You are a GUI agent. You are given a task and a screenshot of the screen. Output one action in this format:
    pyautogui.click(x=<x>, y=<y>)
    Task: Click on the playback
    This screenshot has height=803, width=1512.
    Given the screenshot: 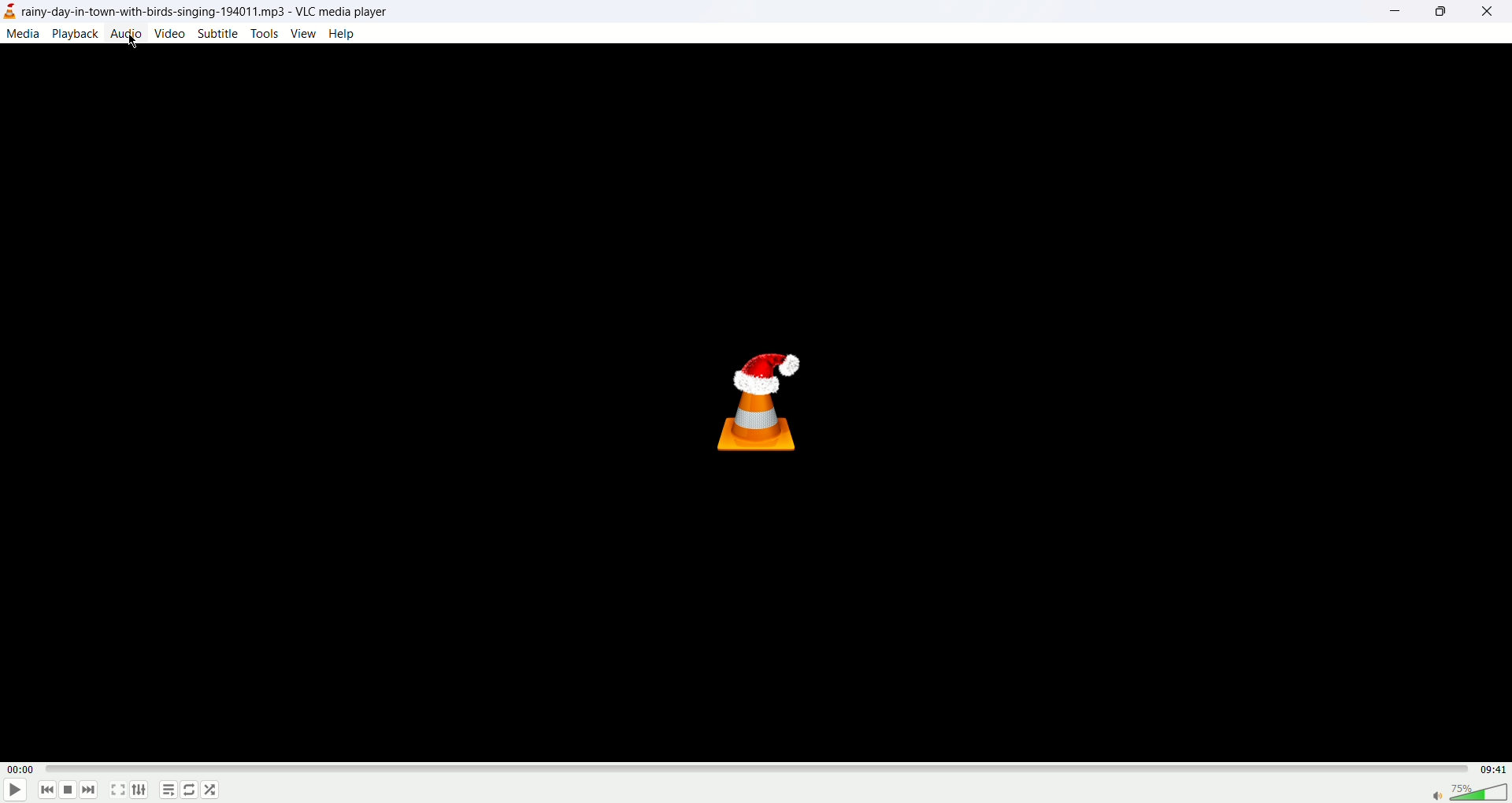 What is the action you would take?
    pyautogui.click(x=77, y=33)
    